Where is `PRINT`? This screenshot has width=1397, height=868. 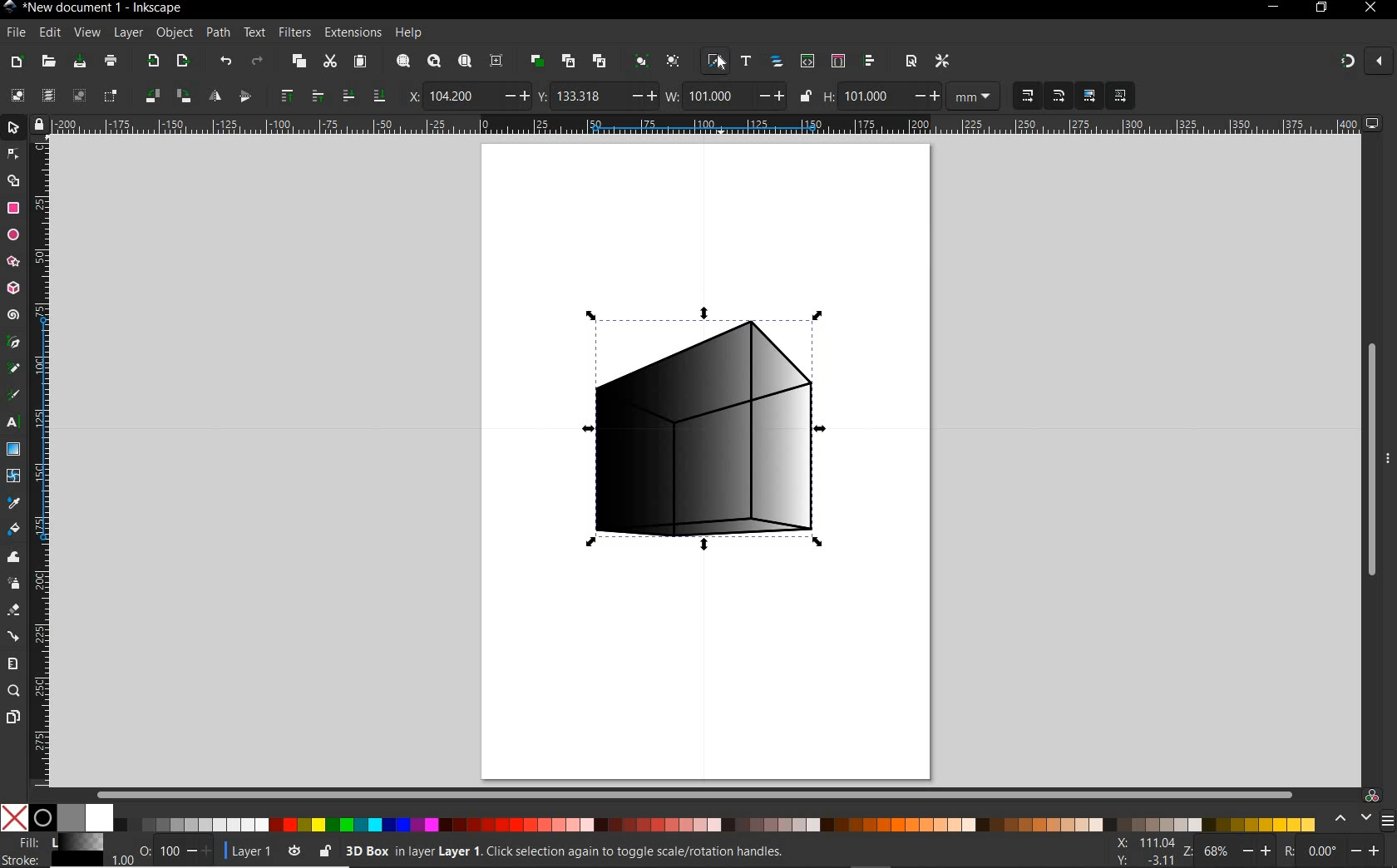 PRINT is located at coordinates (111, 60).